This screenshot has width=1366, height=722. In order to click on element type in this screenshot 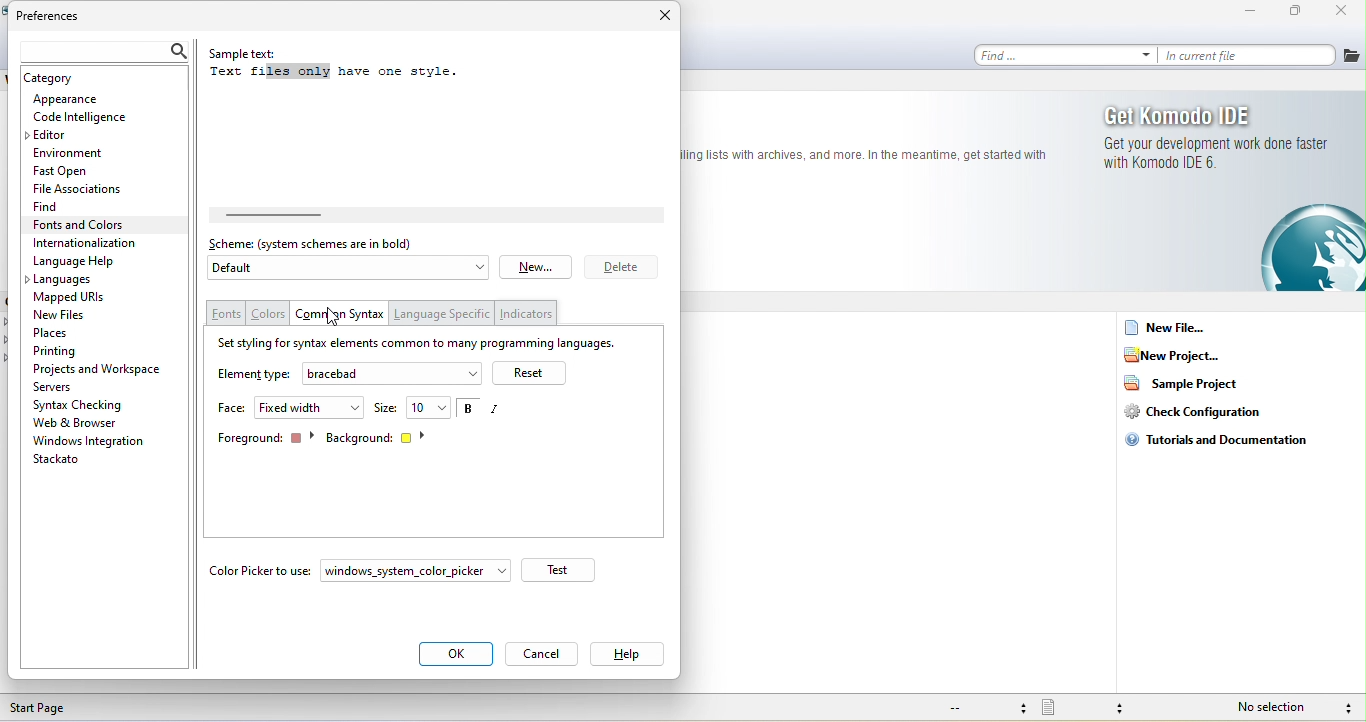, I will do `click(253, 377)`.